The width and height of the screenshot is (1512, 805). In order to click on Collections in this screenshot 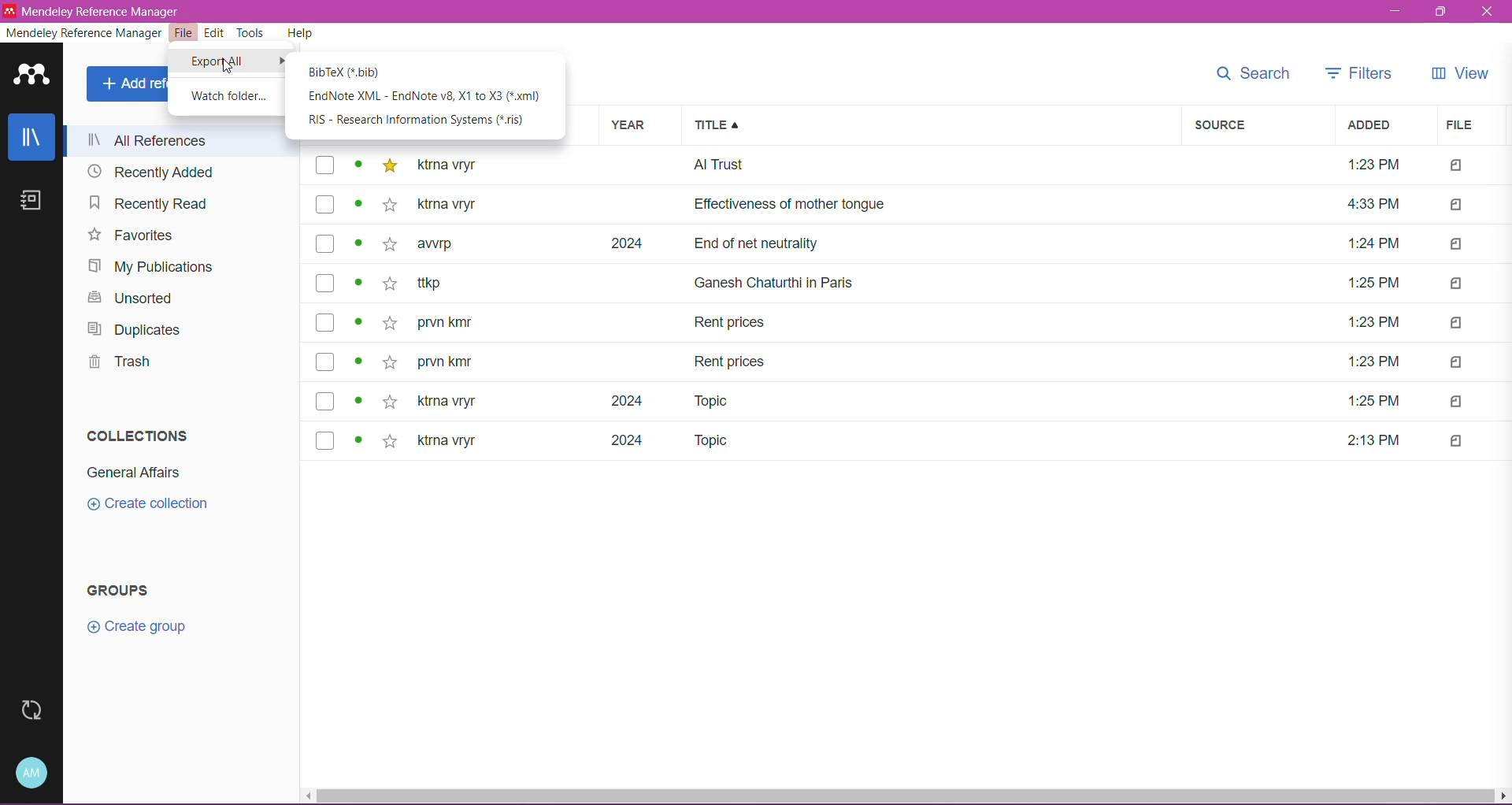, I will do `click(139, 436)`.